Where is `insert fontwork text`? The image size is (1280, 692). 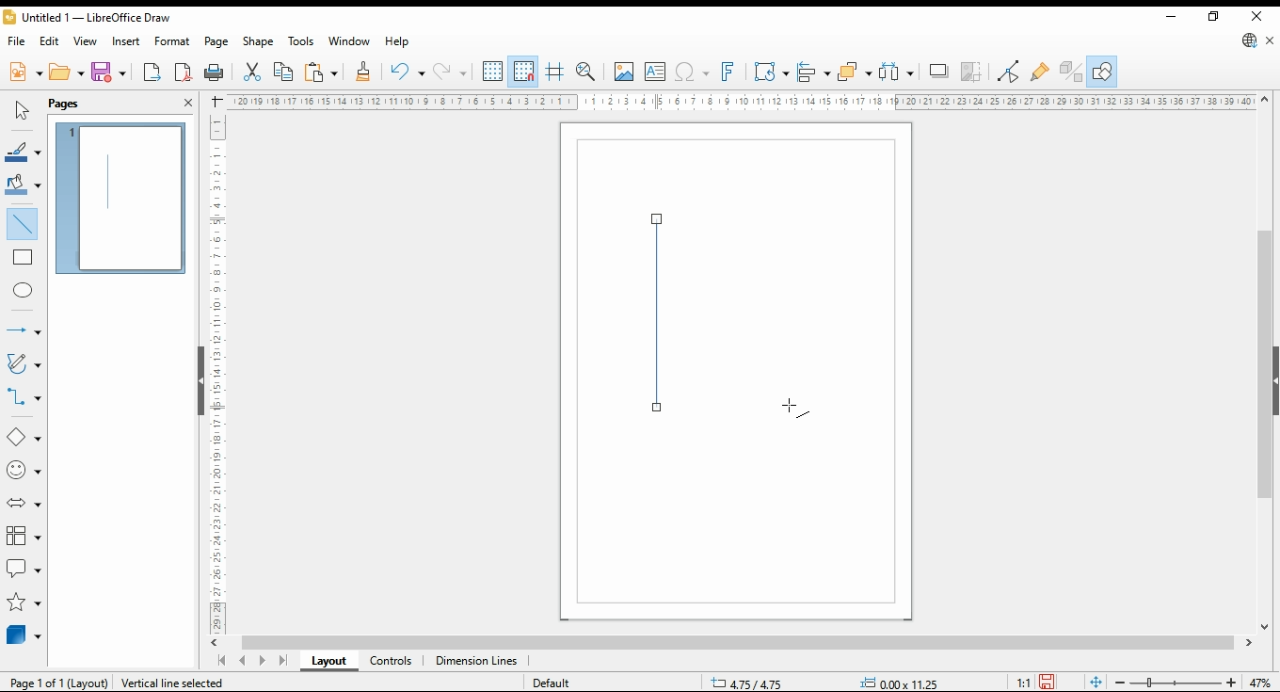 insert fontwork text is located at coordinates (728, 71).